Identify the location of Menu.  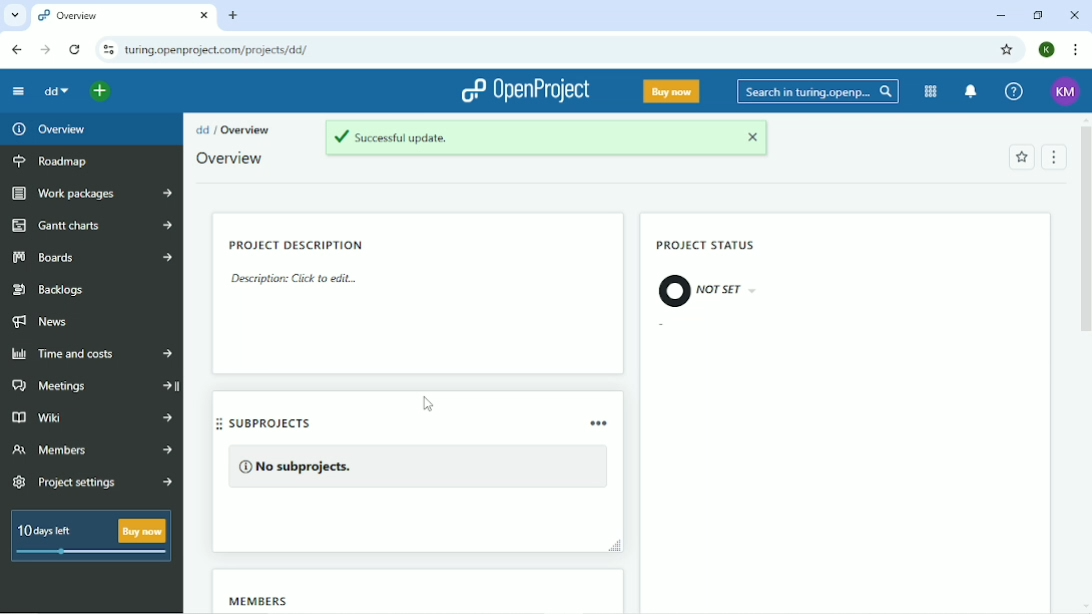
(1055, 156).